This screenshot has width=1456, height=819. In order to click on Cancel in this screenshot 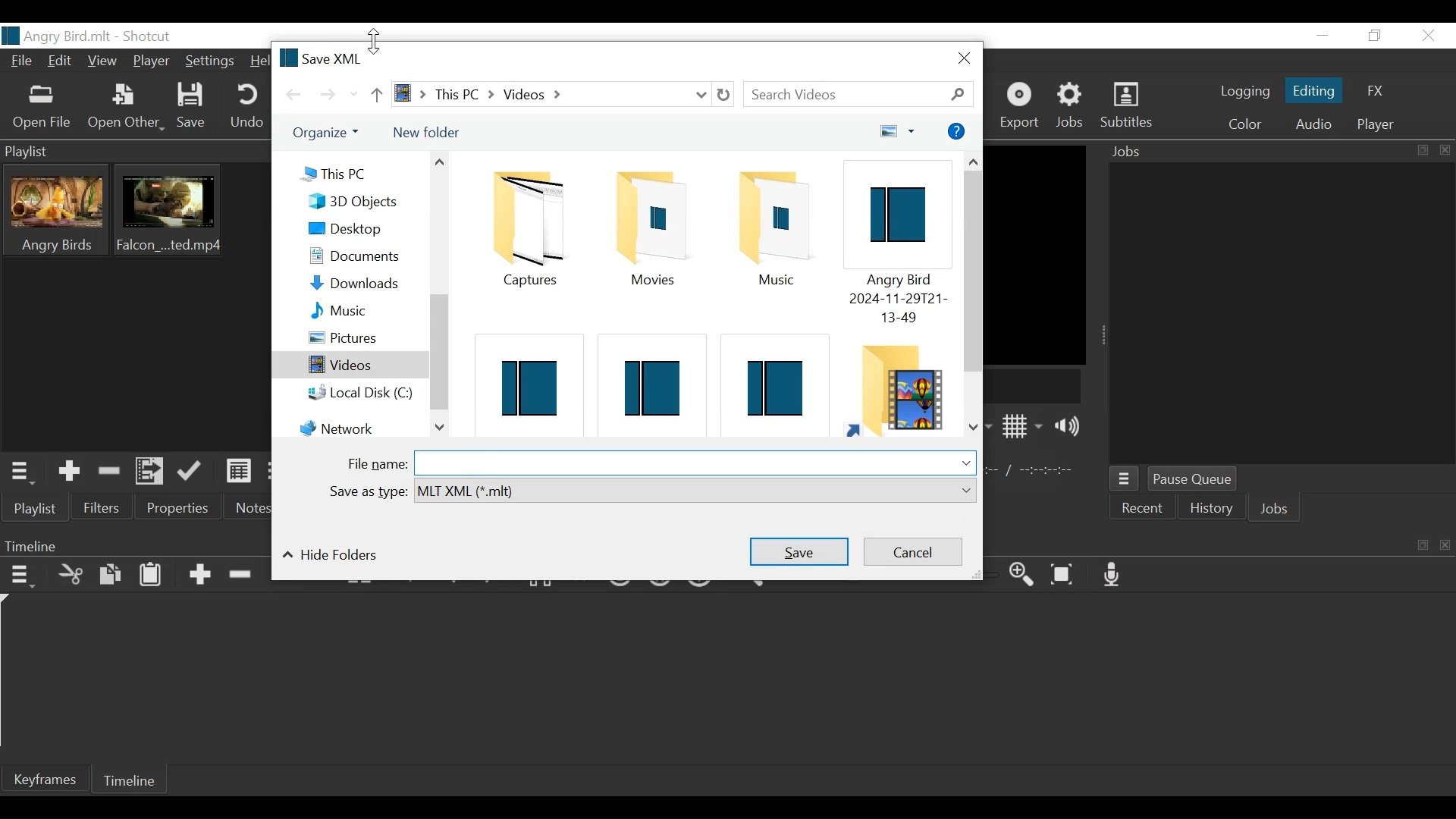, I will do `click(912, 553)`.